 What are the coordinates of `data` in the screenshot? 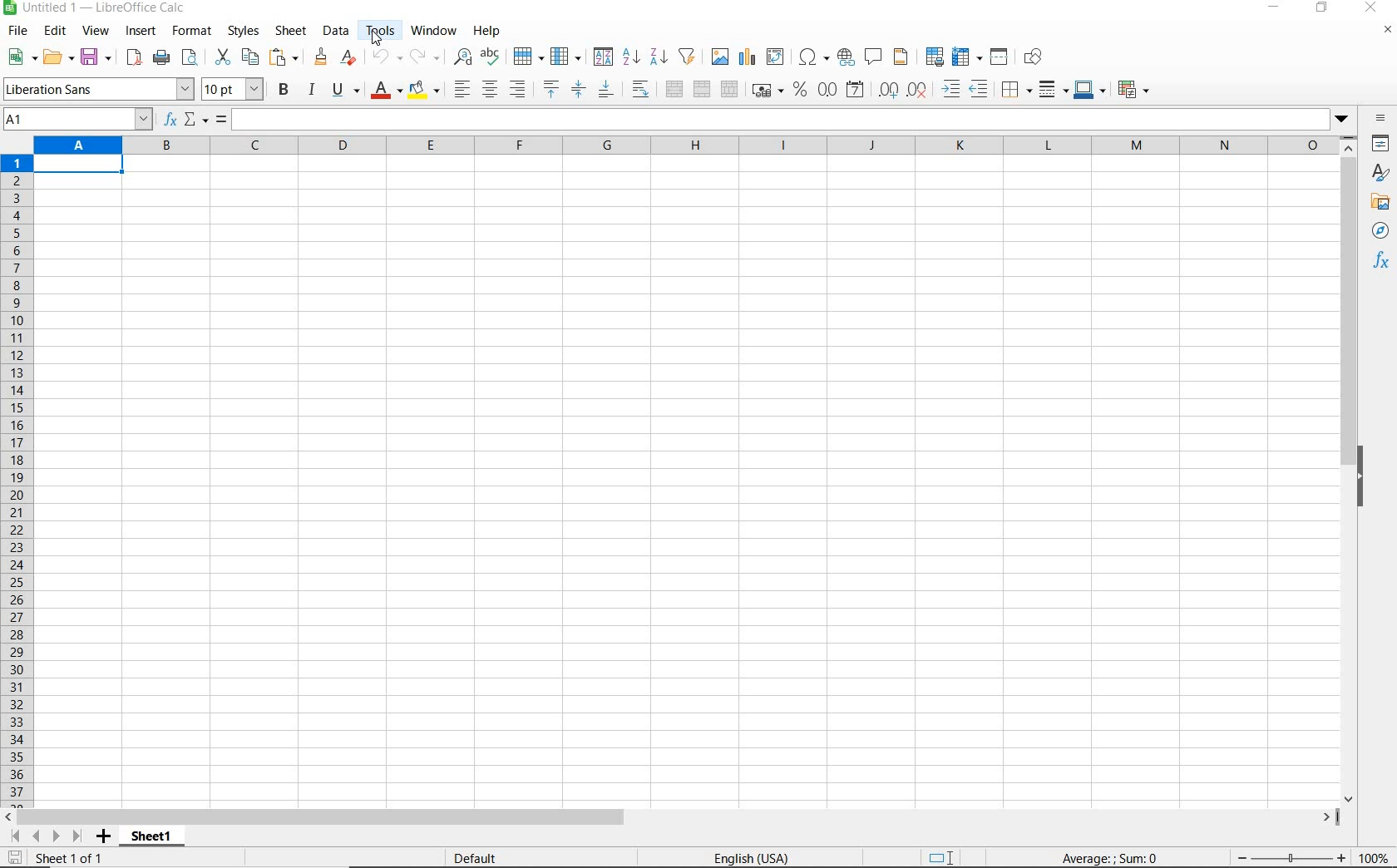 It's located at (335, 31).